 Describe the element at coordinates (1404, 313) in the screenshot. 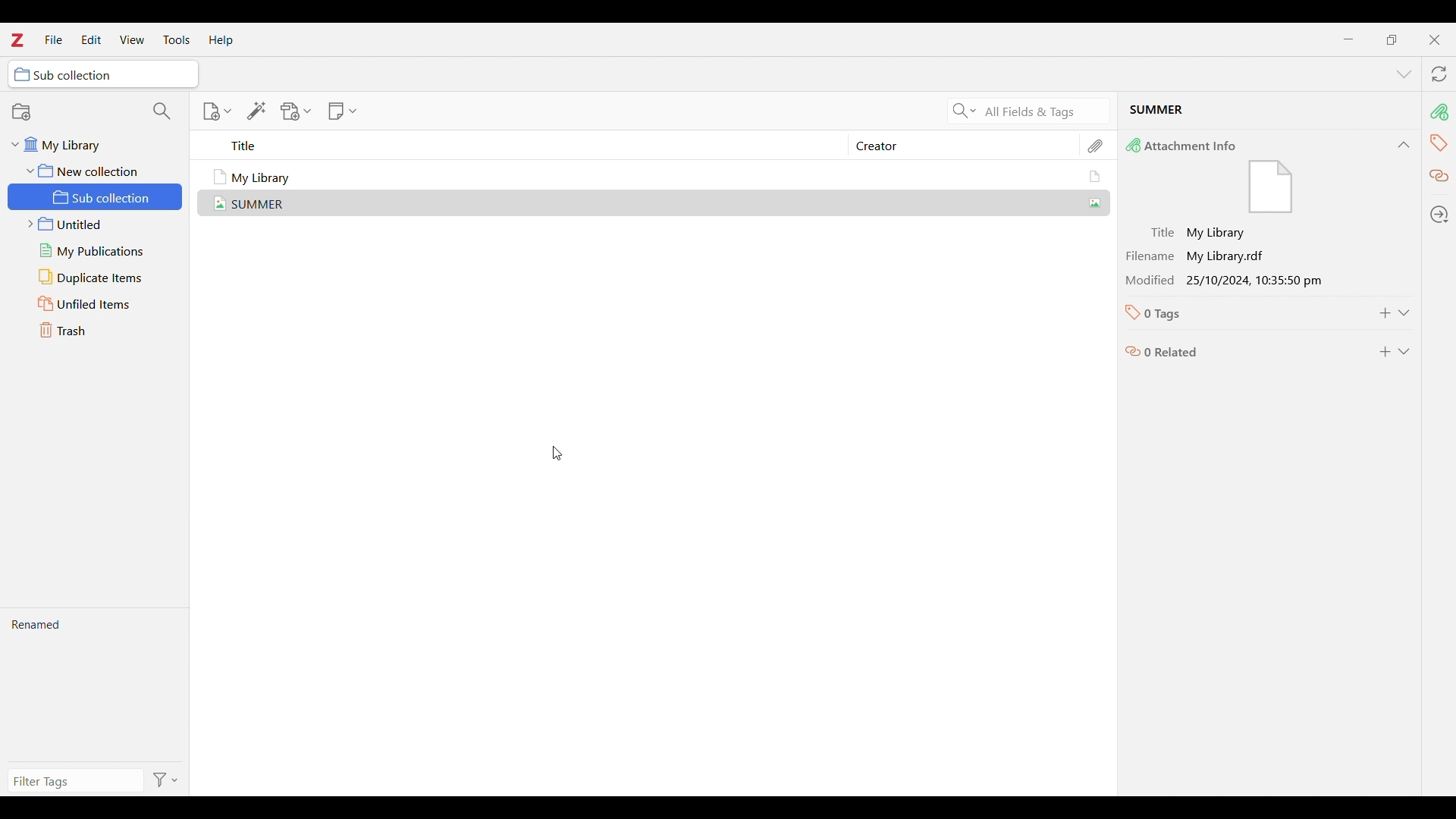

I see `Expand` at that location.